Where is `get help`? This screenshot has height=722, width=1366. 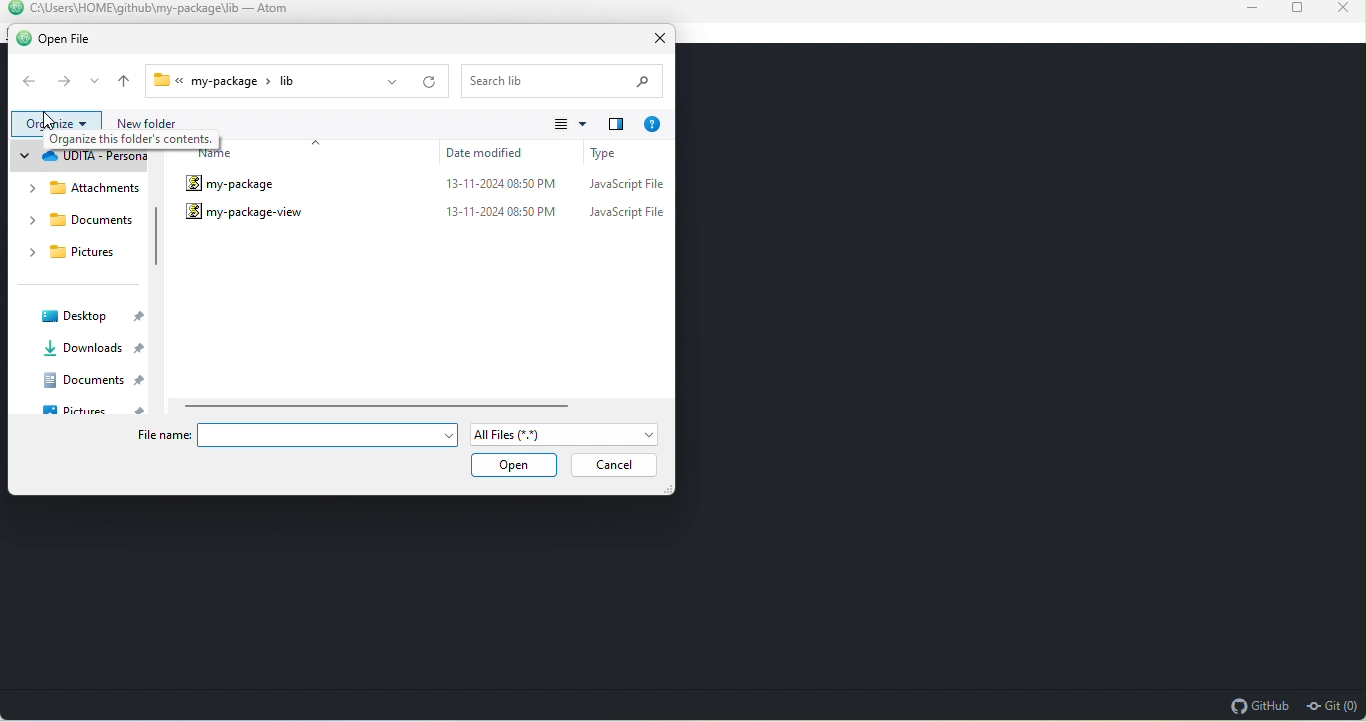 get help is located at coordinates (653, 123).